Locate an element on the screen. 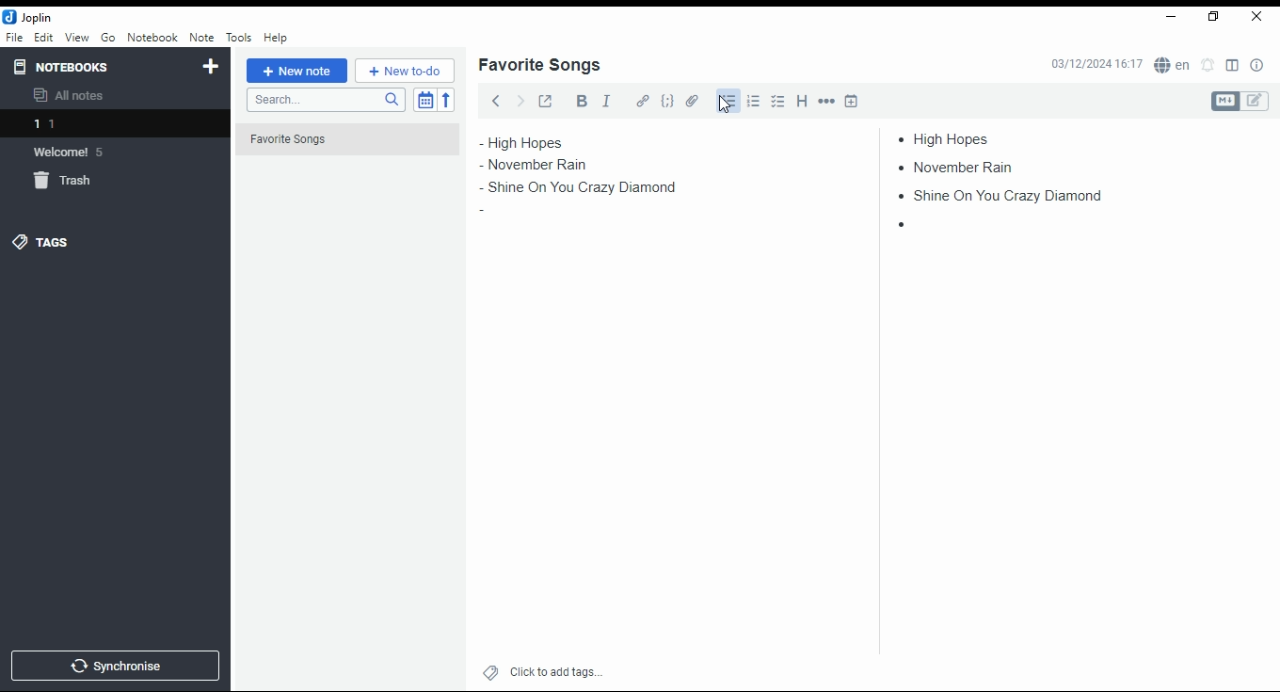 Image resolution: width=1280 pixels, height=692 pixels. high hopes is located at coordinates (953, 139).